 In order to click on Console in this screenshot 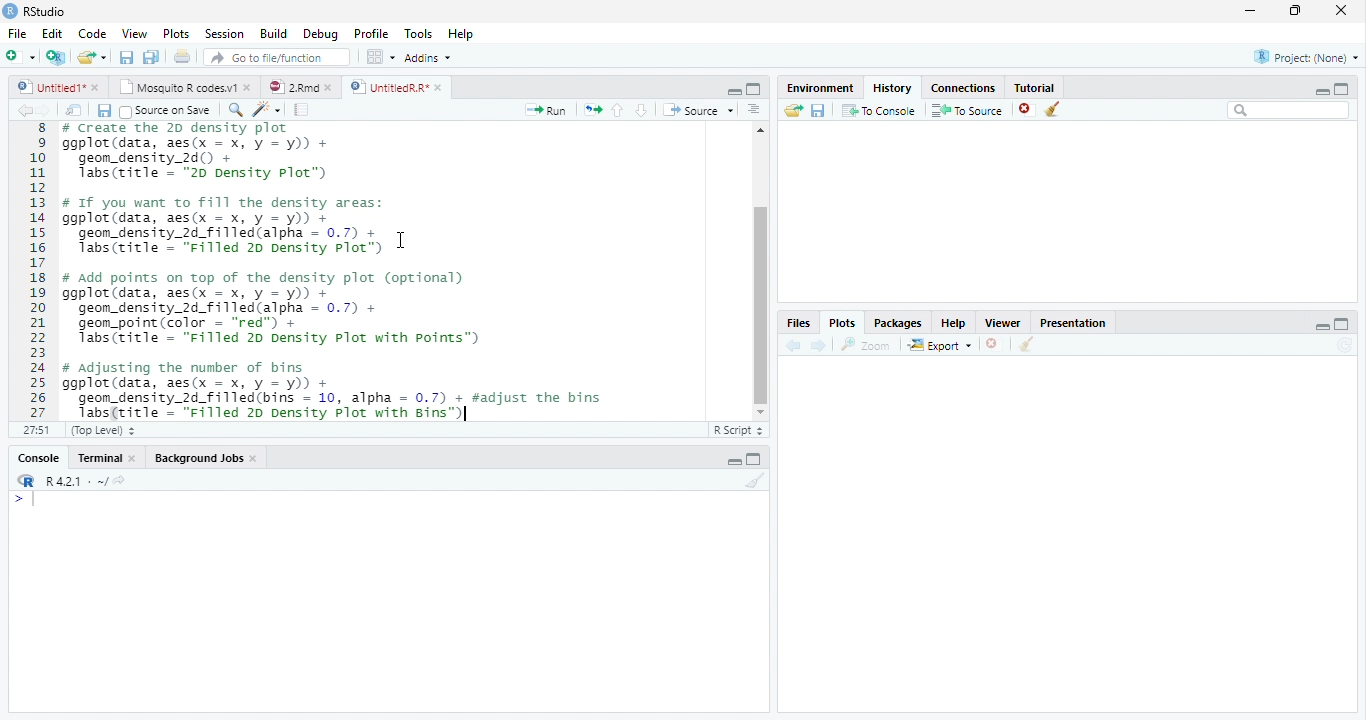, I will do `click(38, 459)`.